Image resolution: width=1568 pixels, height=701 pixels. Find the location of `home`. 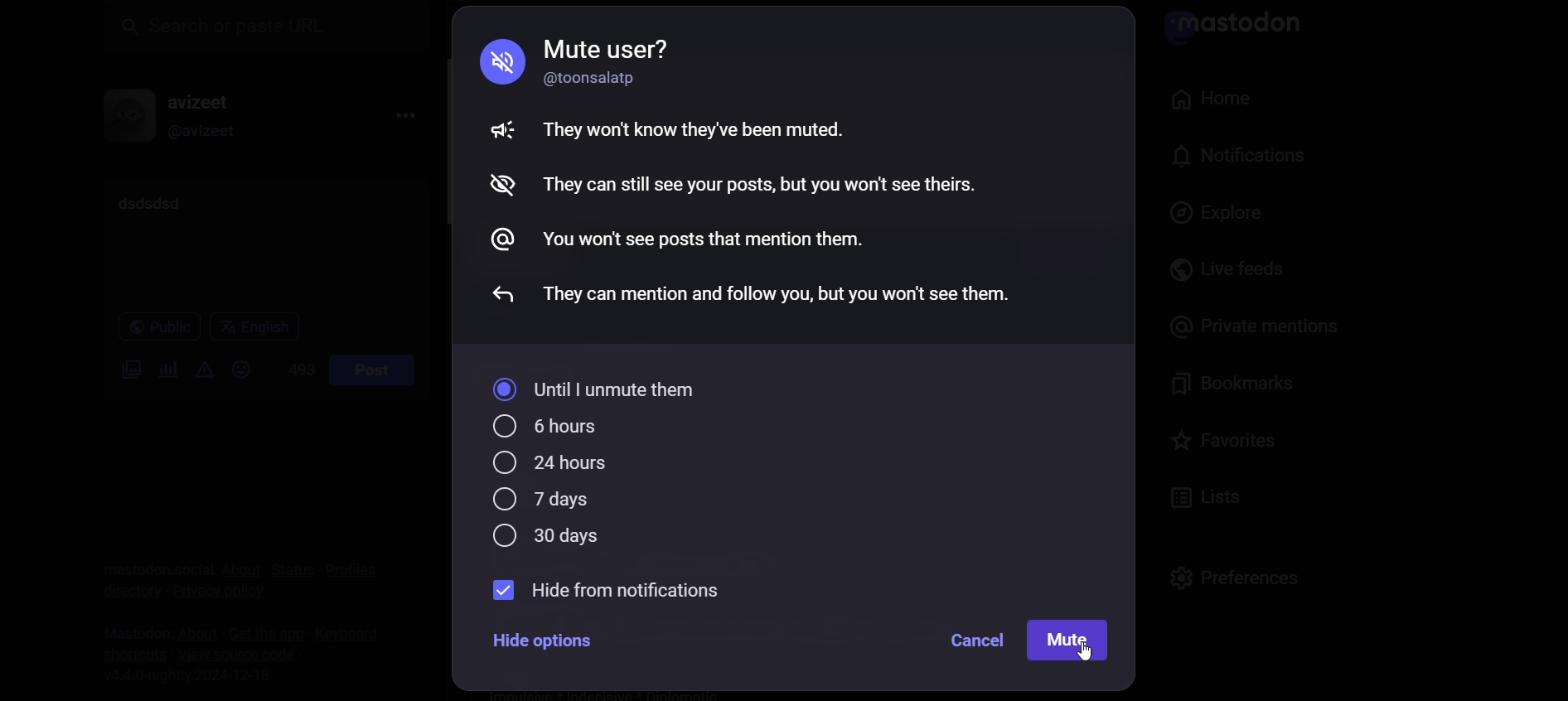

home is located at coordinates (1204, 98).